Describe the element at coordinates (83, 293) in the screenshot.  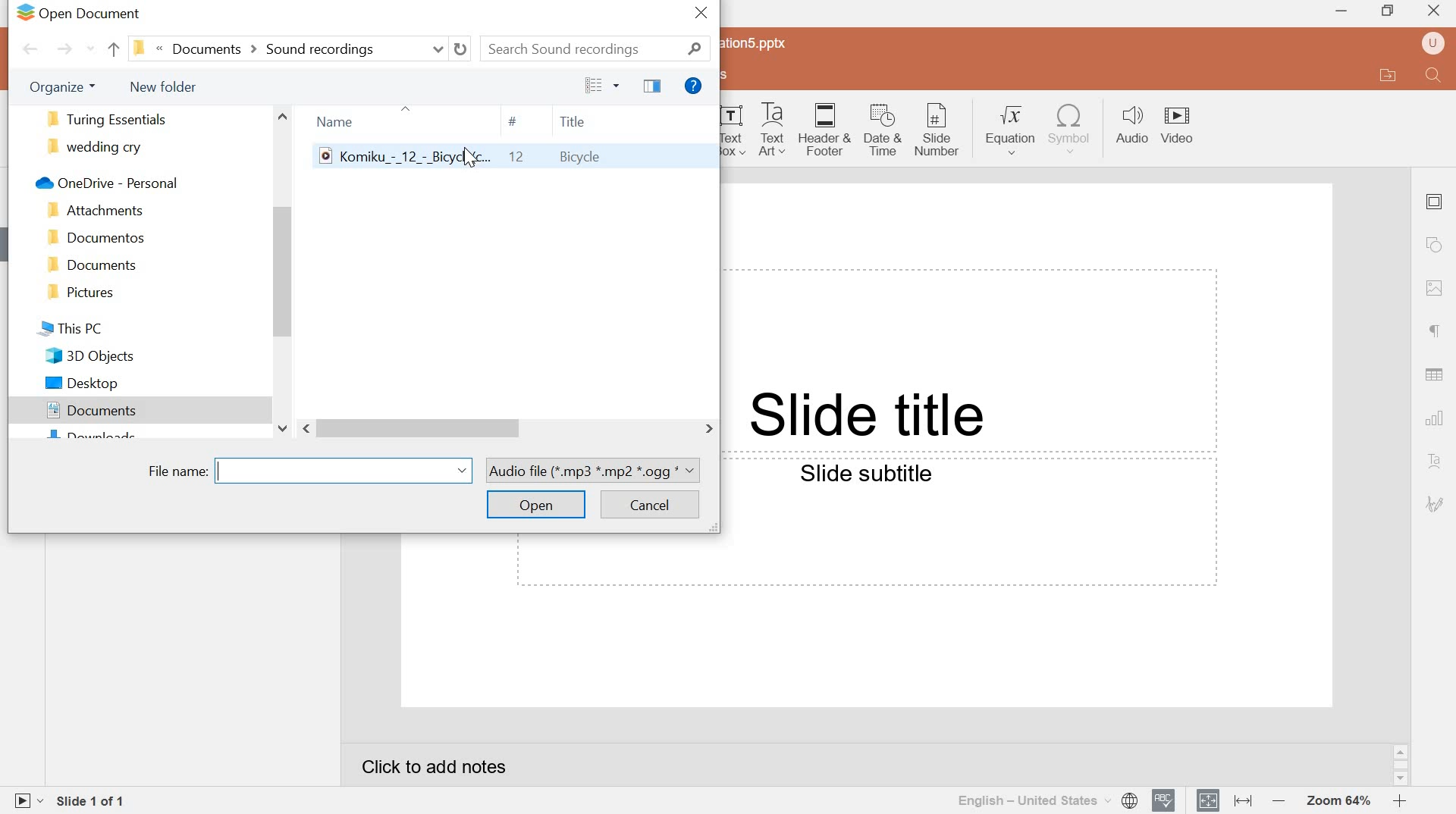
I see `pictures folder` at that location.